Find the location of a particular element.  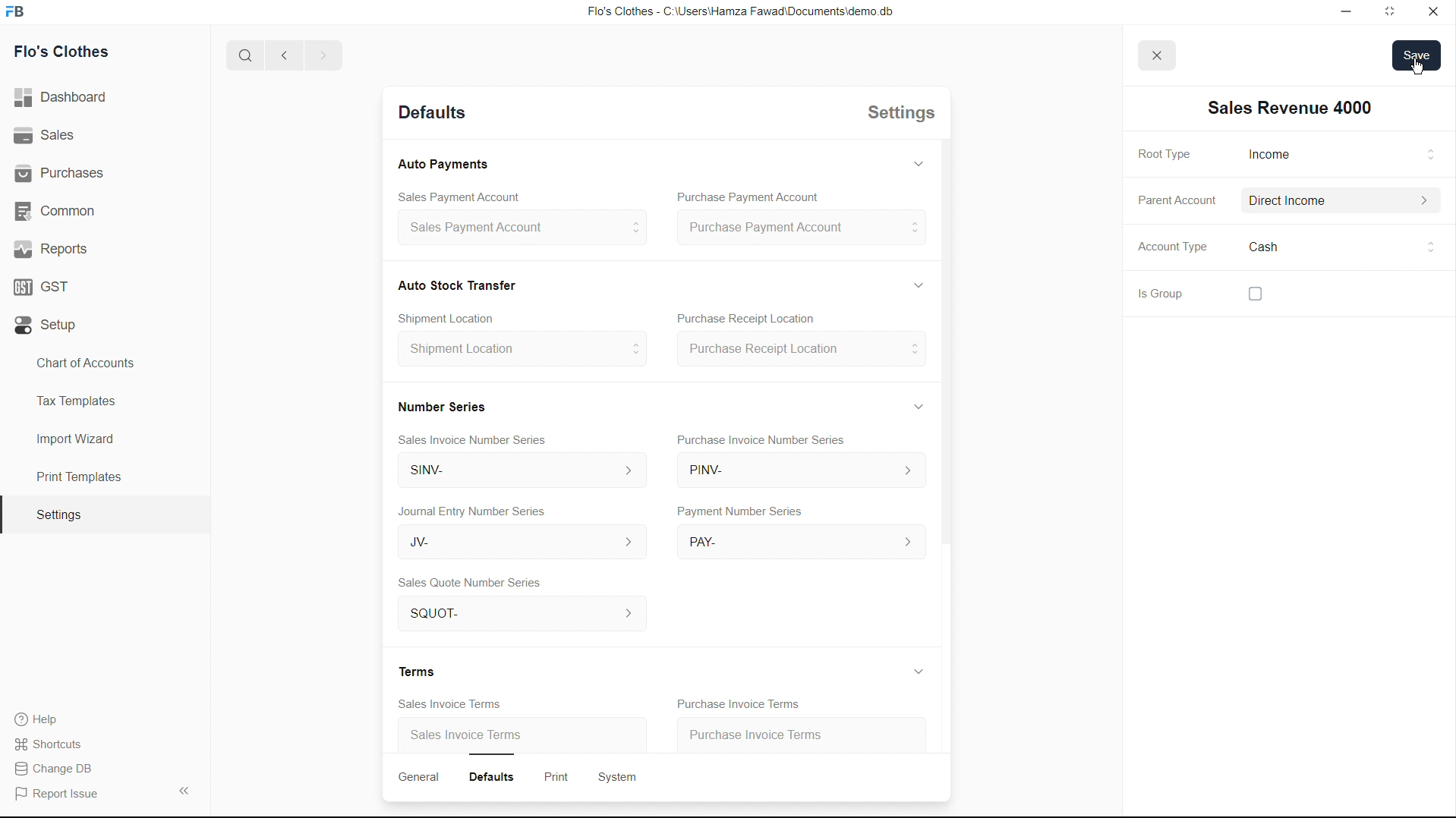

Purchase Receipt Location is located at coordinates (799, 351).